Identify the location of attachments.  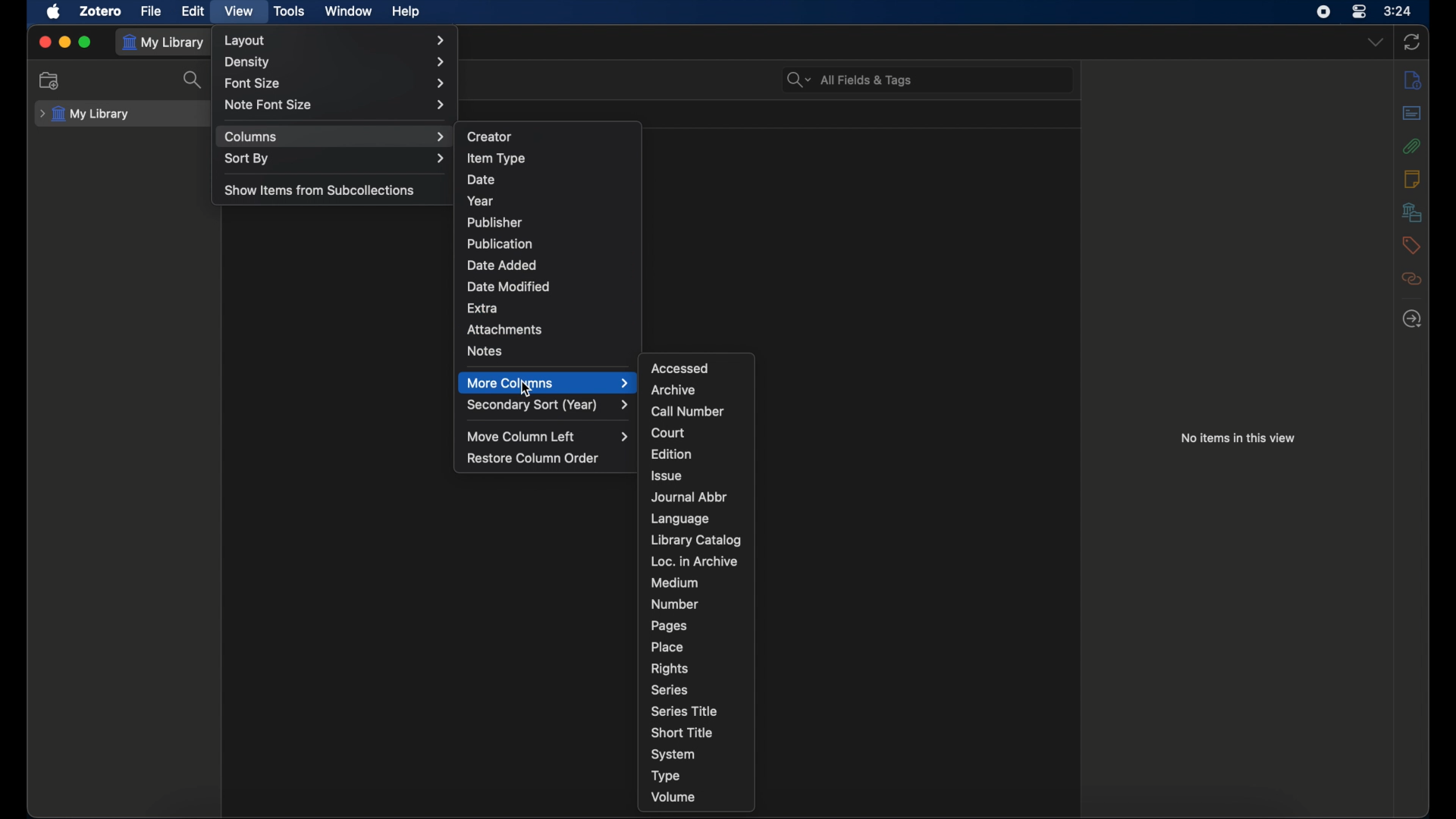
(505, 330).